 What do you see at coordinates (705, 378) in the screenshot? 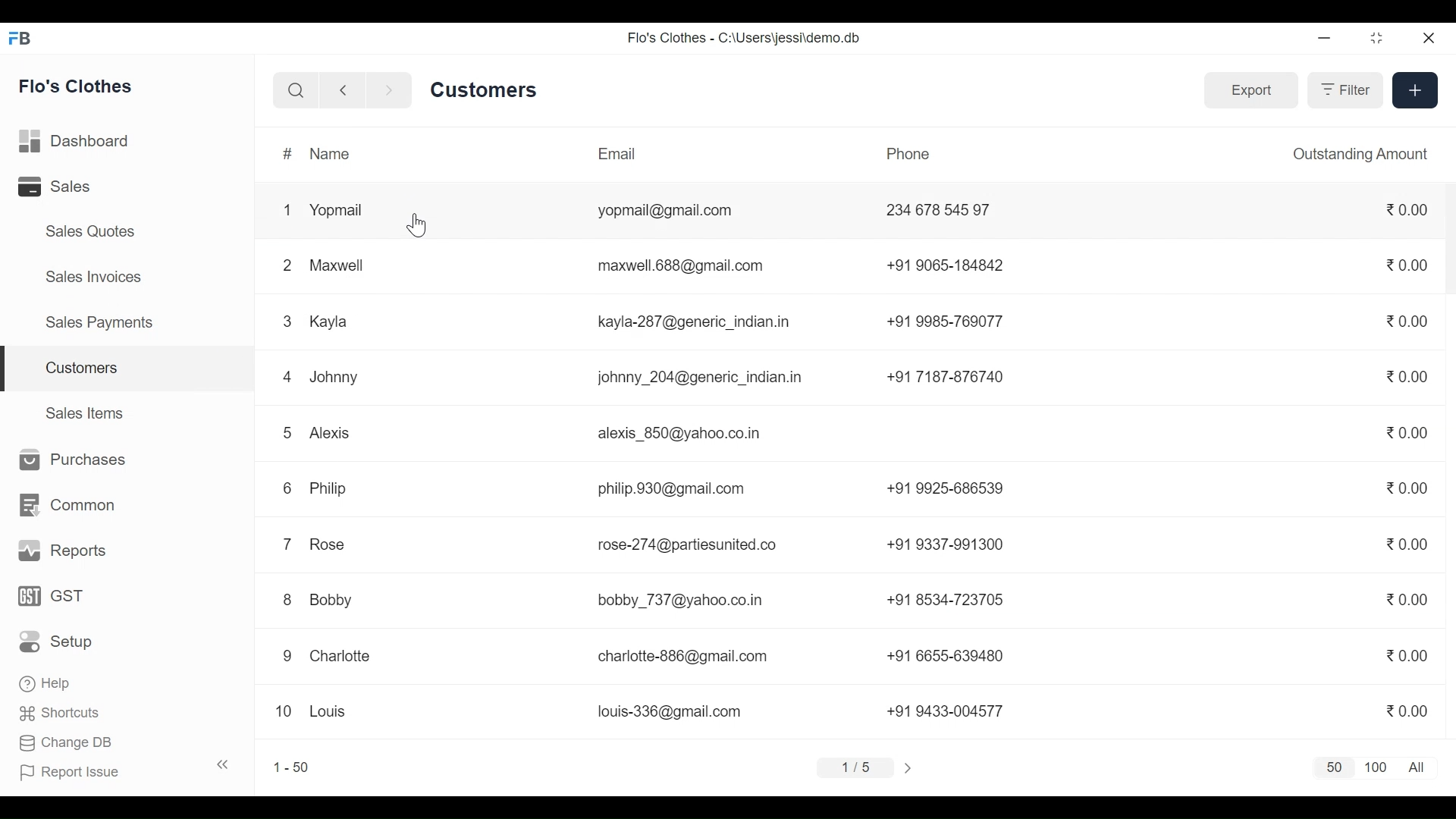
I see `johnny_204@generic_indian.in` at bounding box center [705, 378].